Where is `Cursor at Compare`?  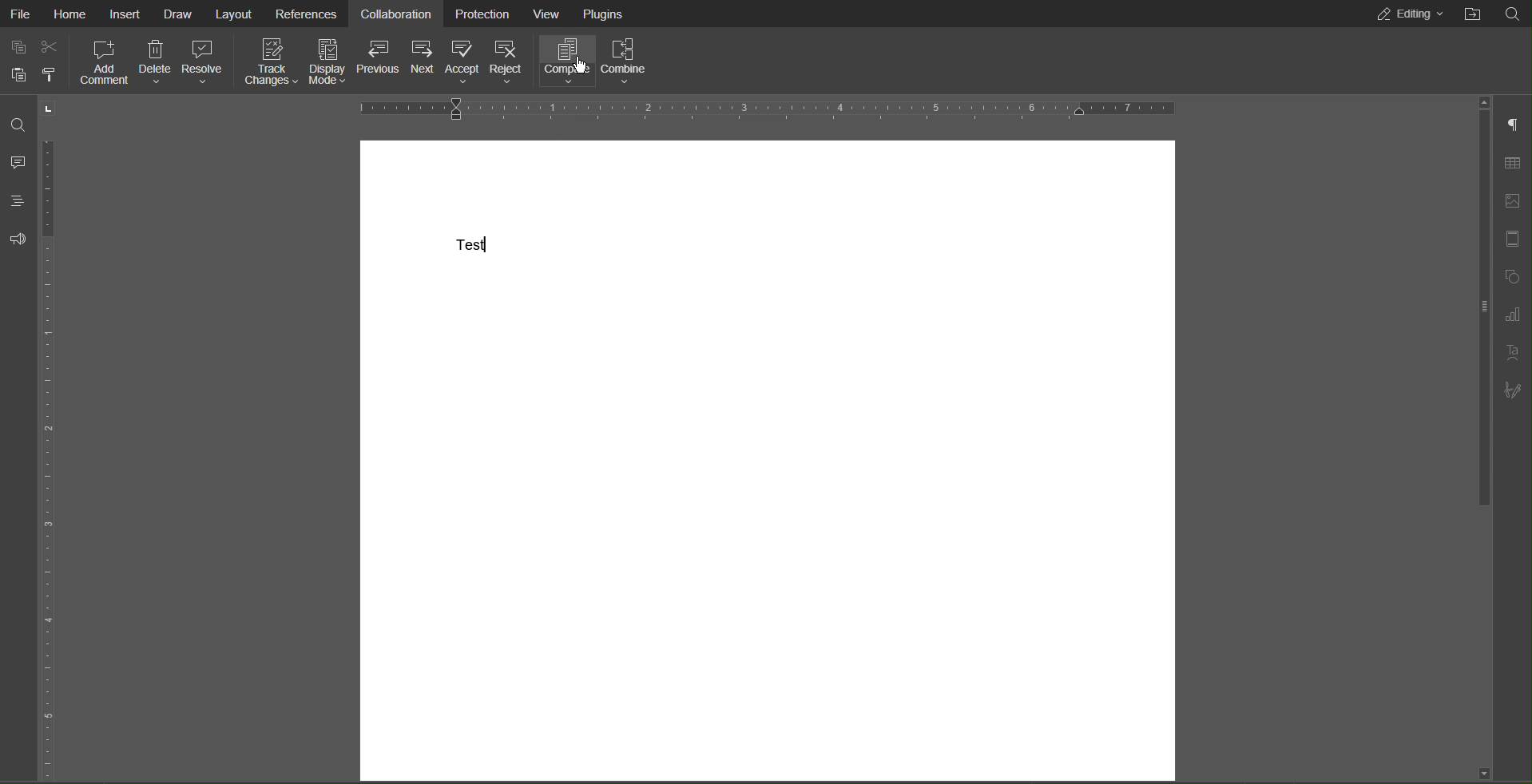
Cursor at Compare is located at coordinates (580, 70).